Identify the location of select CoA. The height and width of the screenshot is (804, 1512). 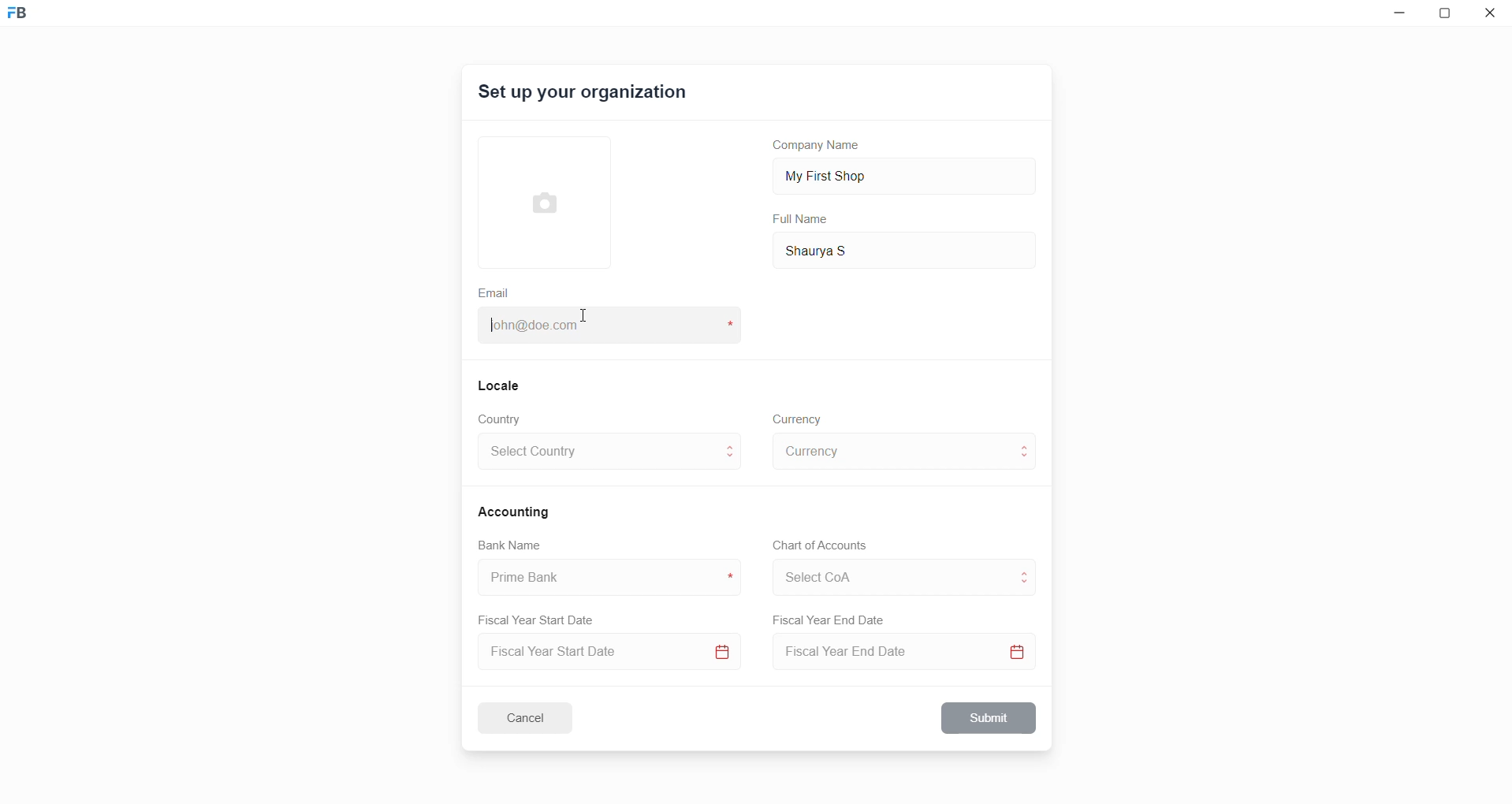
(886, 575).